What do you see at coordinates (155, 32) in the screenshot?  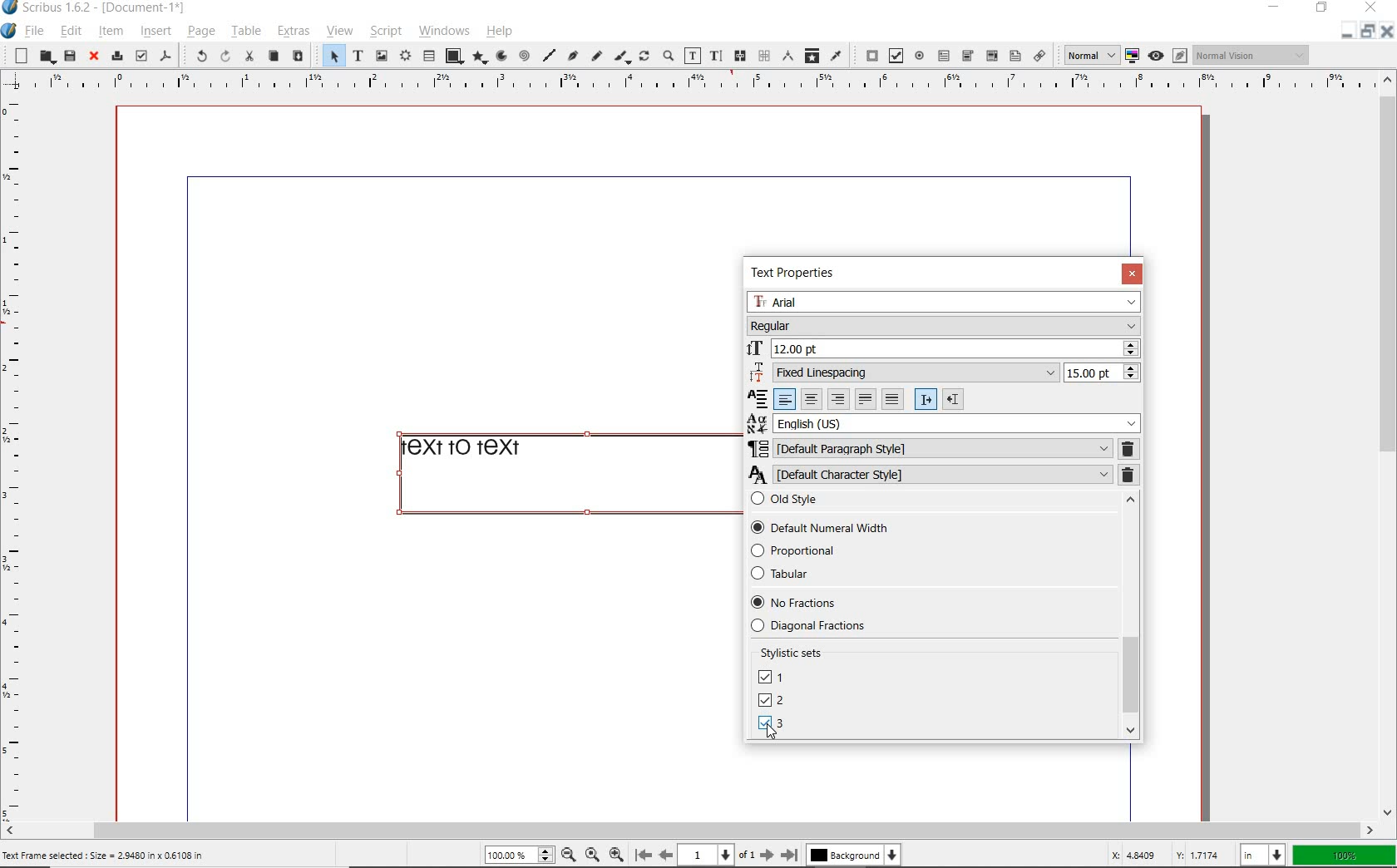 I see `insert` at bounding box center [155, 32].